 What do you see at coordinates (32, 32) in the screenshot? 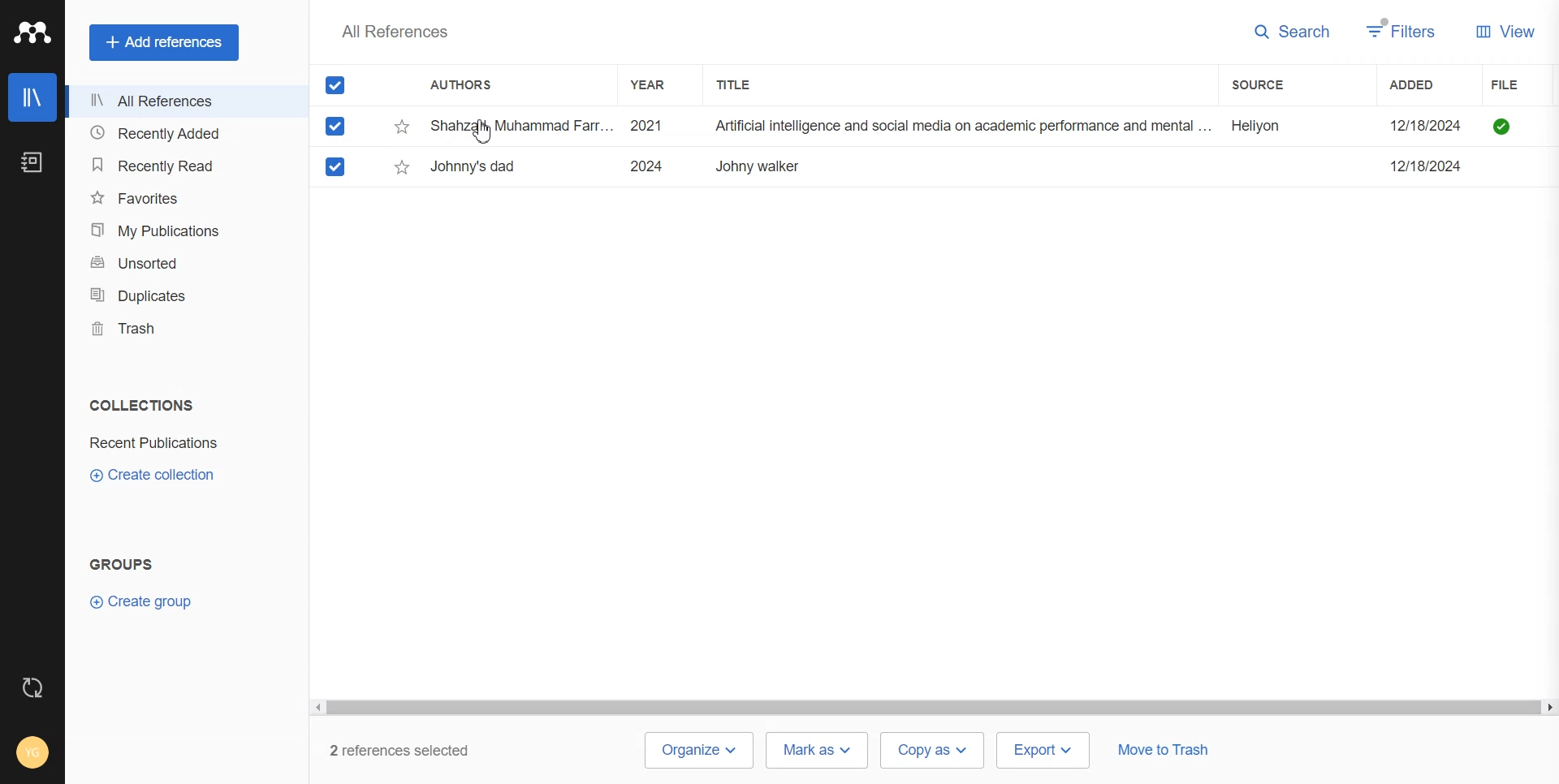
I see `Logo` at bounding box center [32, 32].